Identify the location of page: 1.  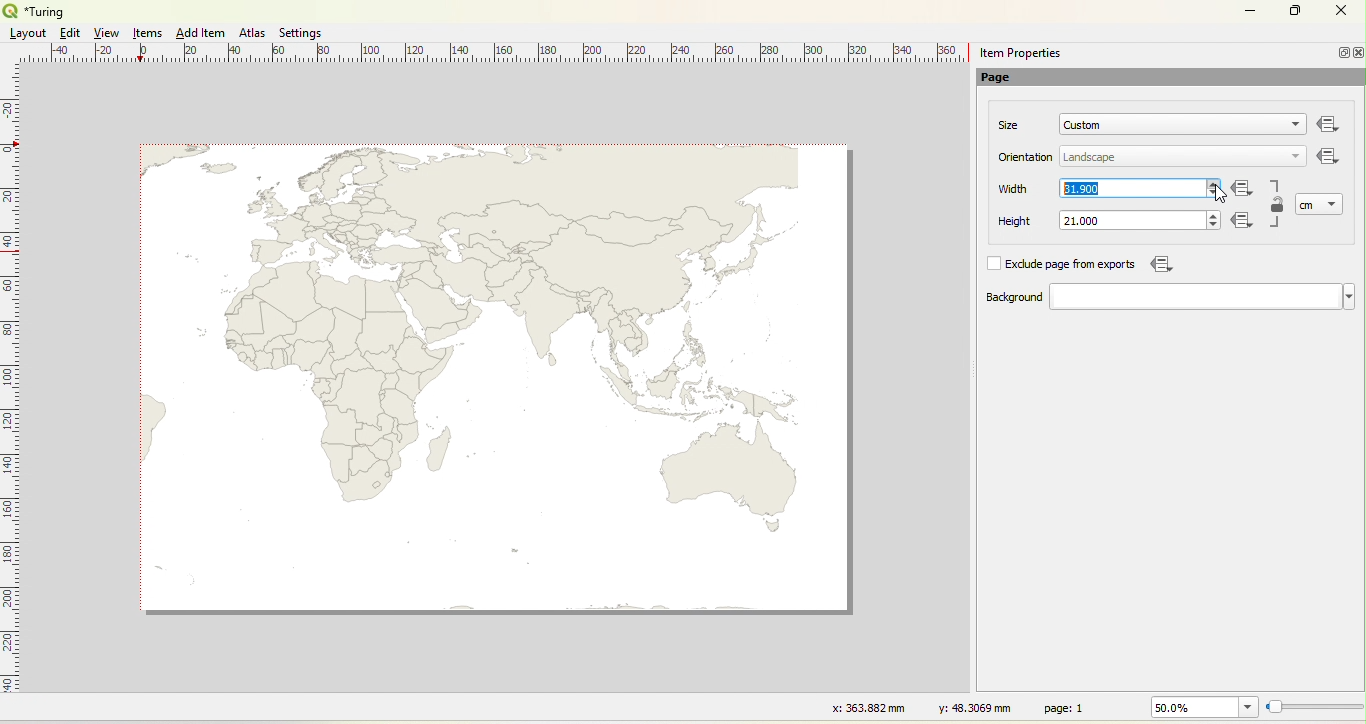
(1067, 707).